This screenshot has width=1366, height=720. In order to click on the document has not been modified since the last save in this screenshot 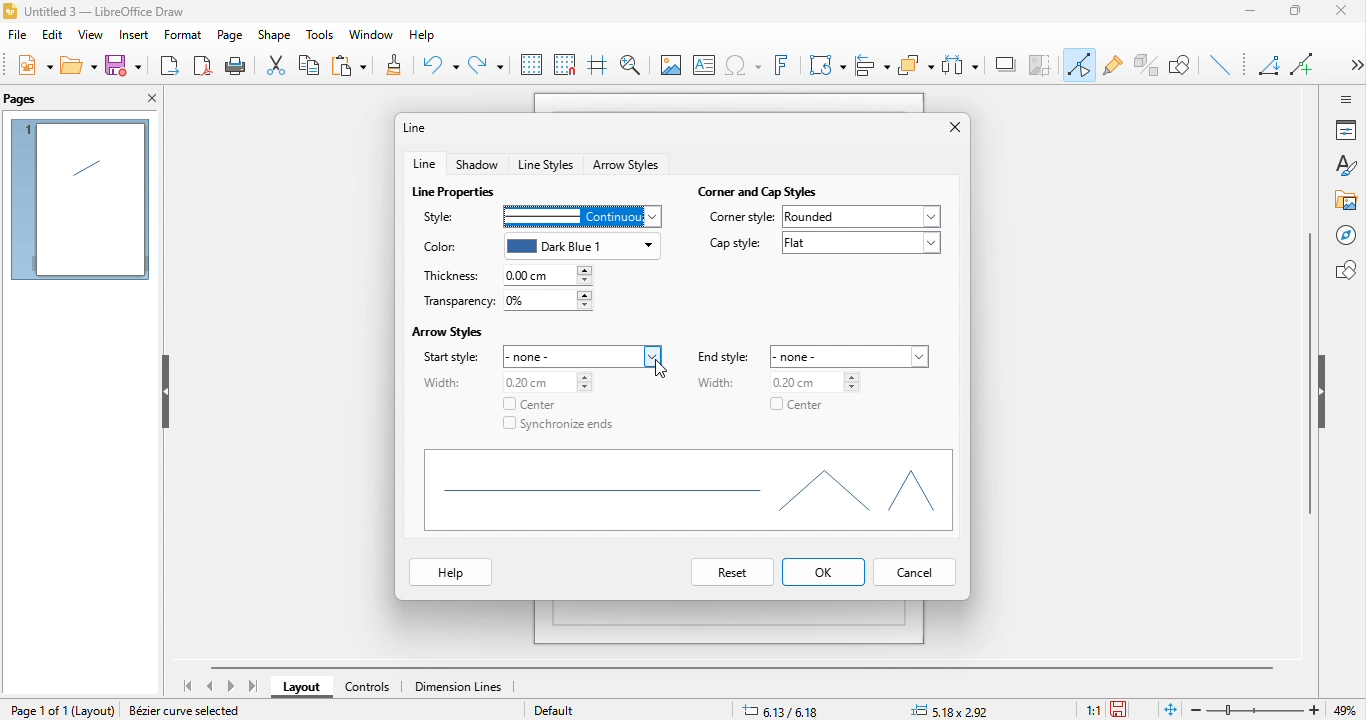, I will do `click(1127, 709)`.